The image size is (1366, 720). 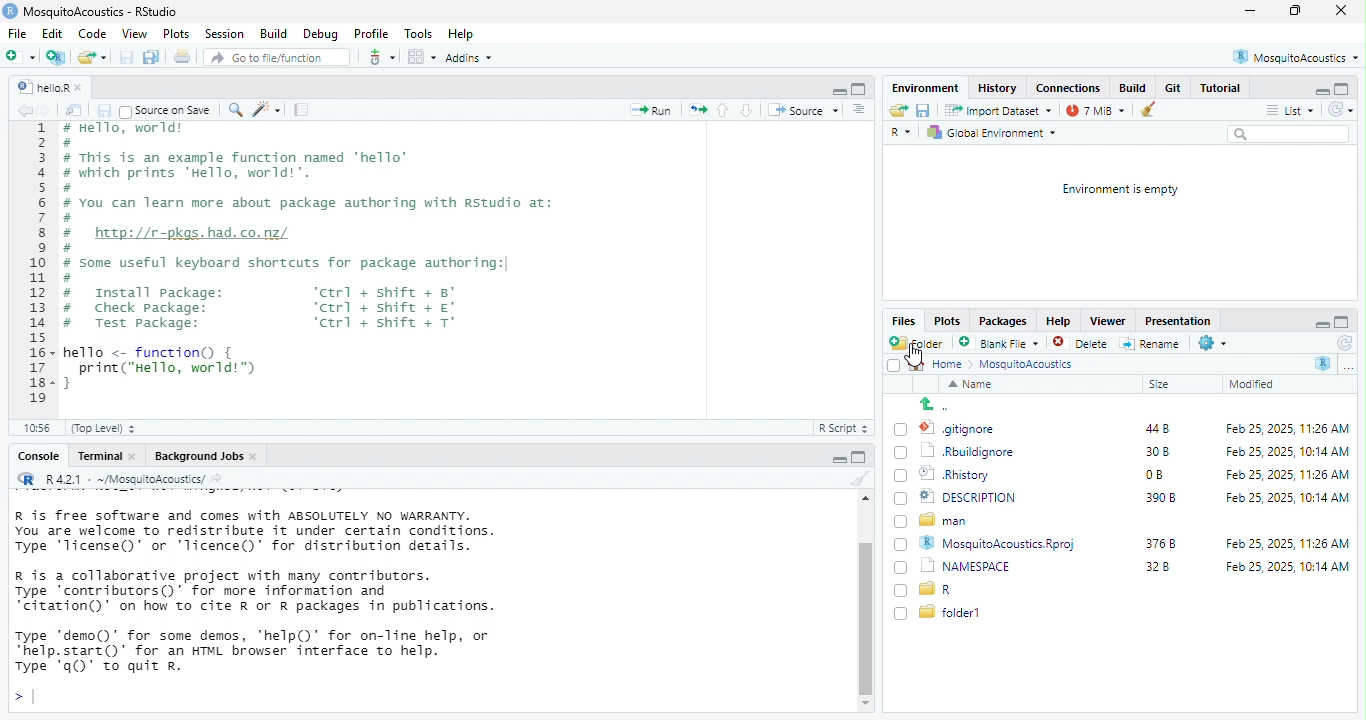 I want to click on Profile, so click(x=371, y=32).